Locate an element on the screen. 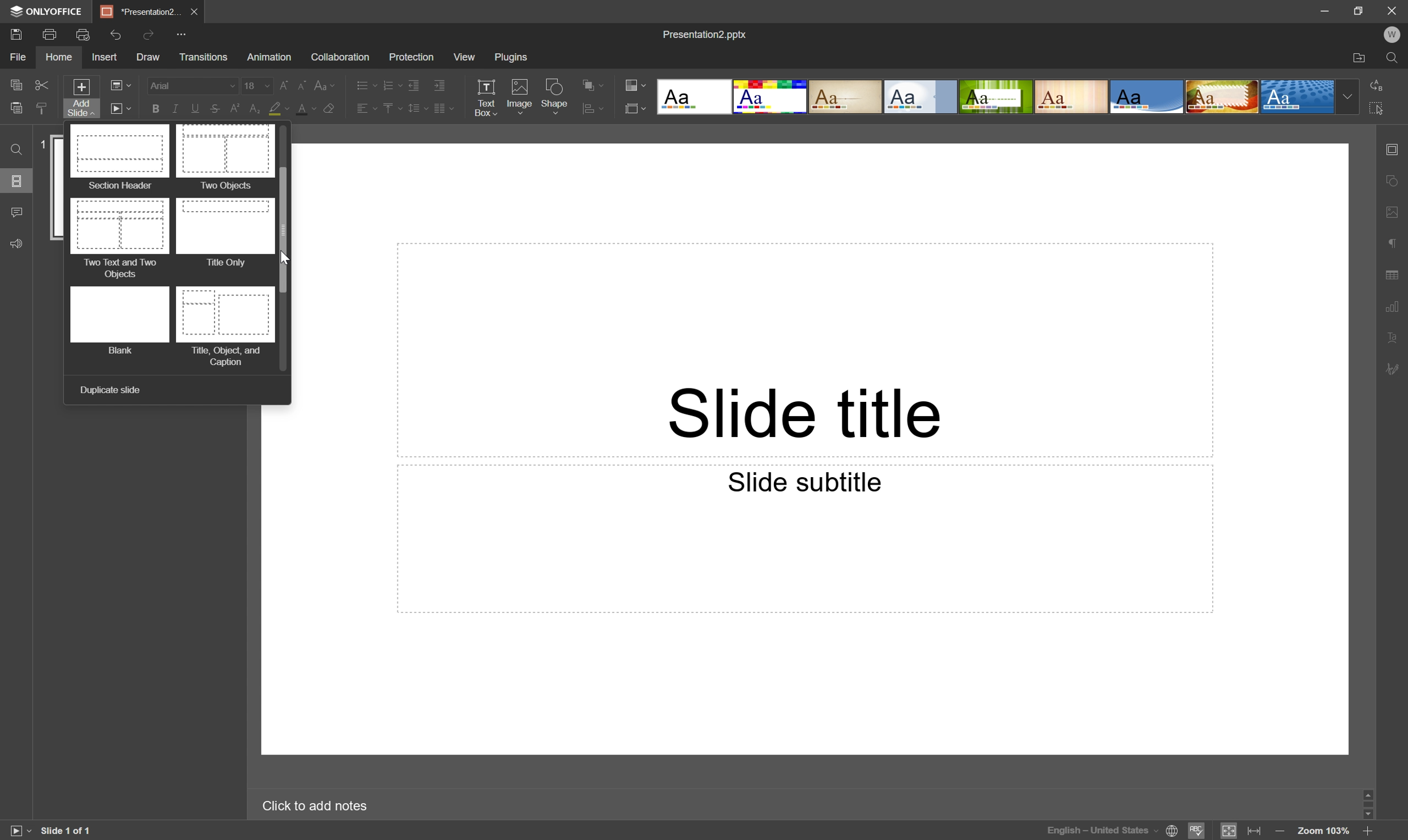 The image size is (1408, 840). Close is located at coordinates (1390, 9).